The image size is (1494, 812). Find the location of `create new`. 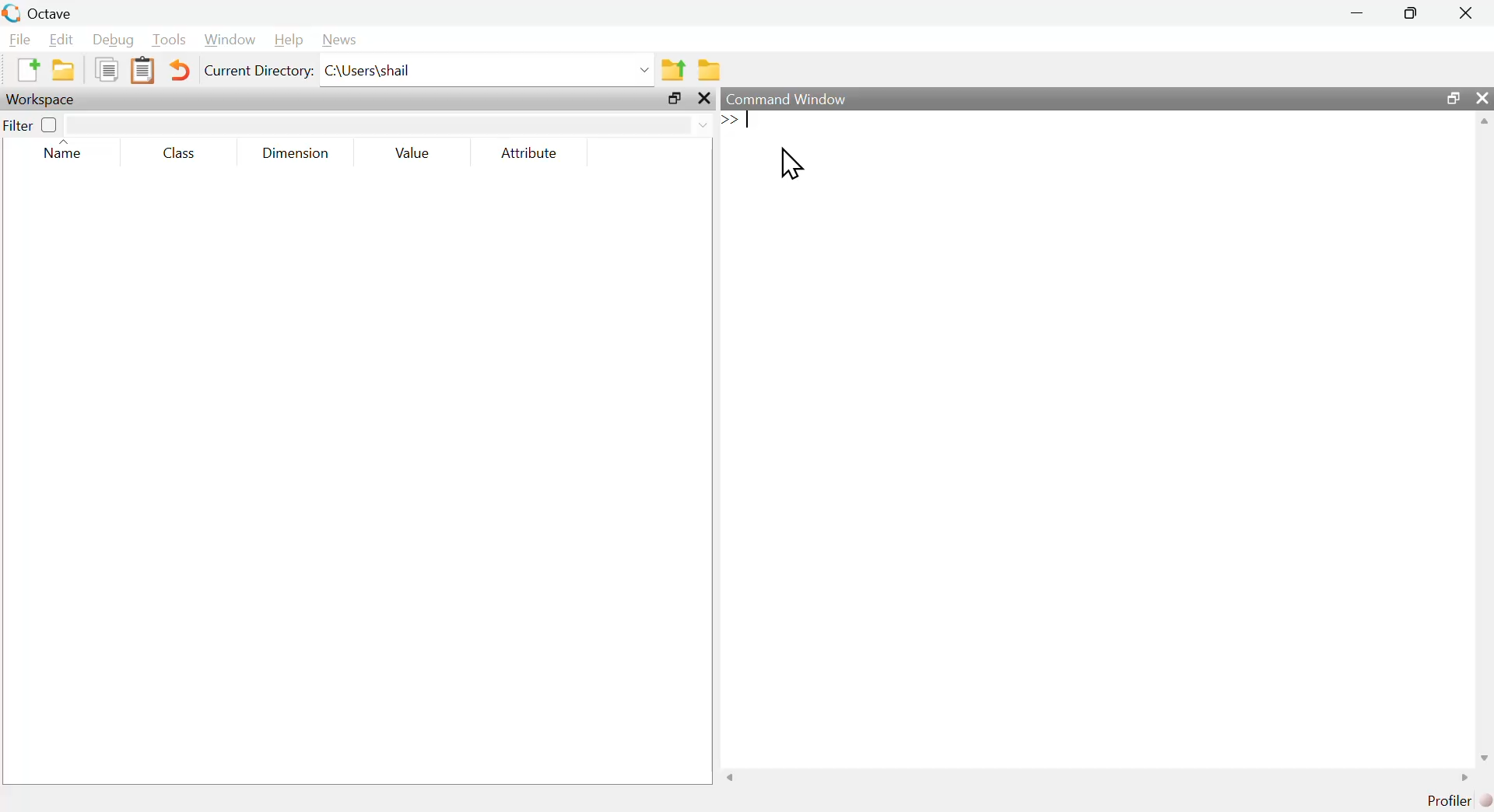

create new is located at coordinates (26, 71).